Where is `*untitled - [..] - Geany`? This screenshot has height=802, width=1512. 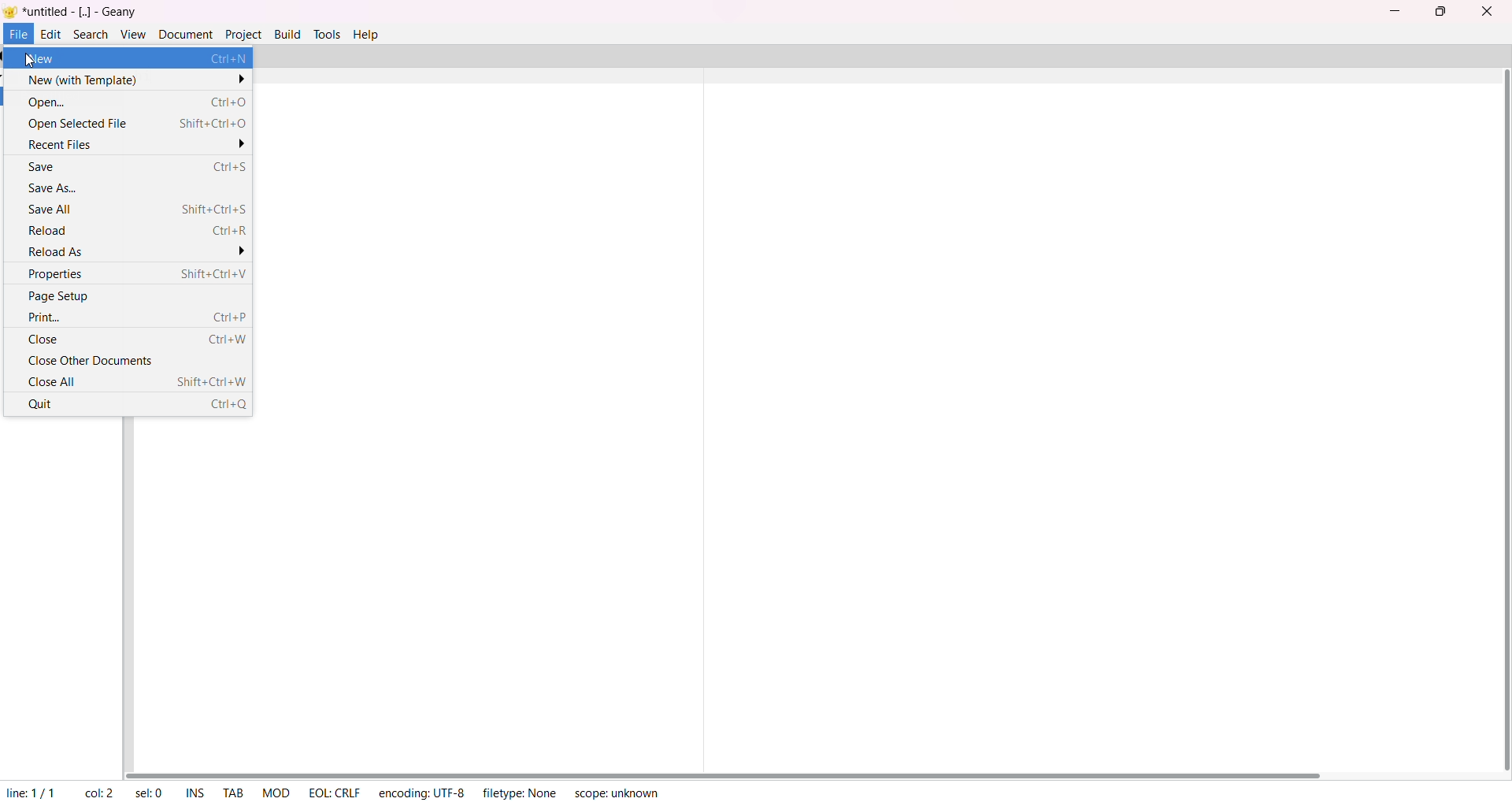
*untitled - [..] - Geany is located at coordinates (83, 12).